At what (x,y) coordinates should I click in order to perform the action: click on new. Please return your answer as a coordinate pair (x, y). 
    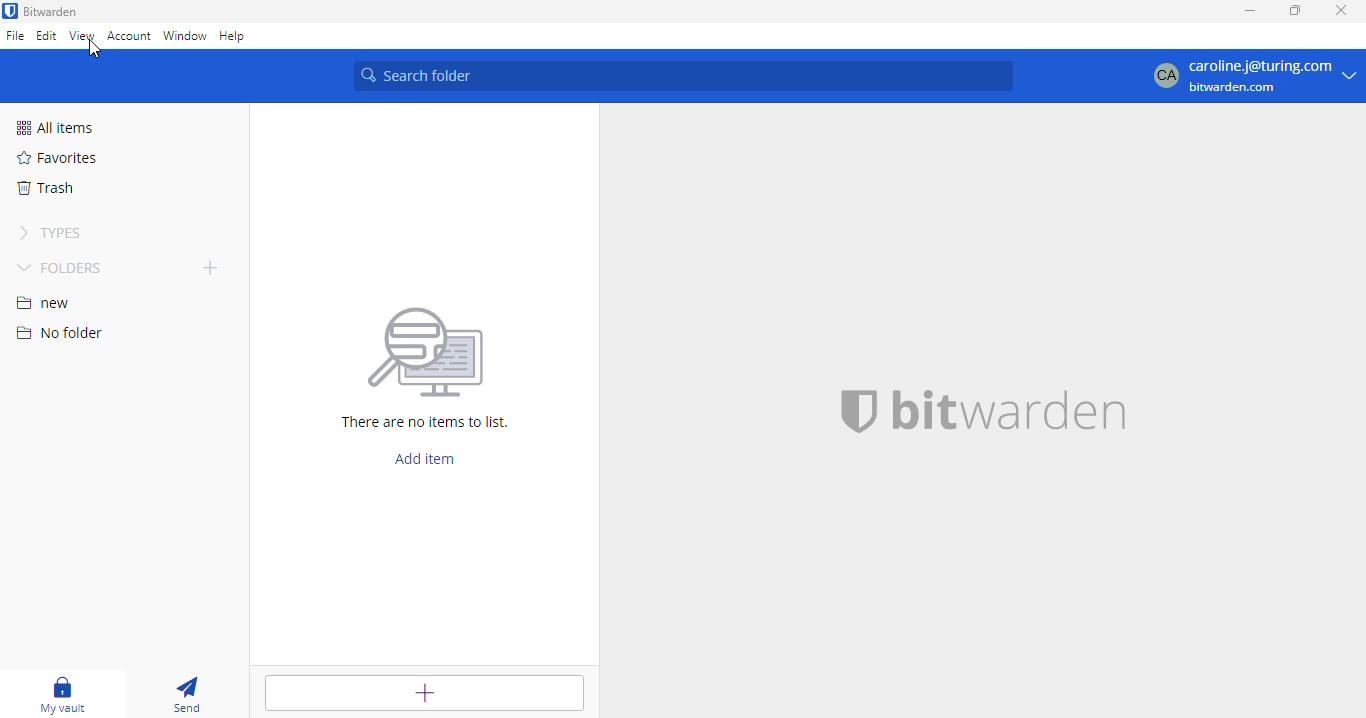
    Looking at the image, I should click on (44, 303).